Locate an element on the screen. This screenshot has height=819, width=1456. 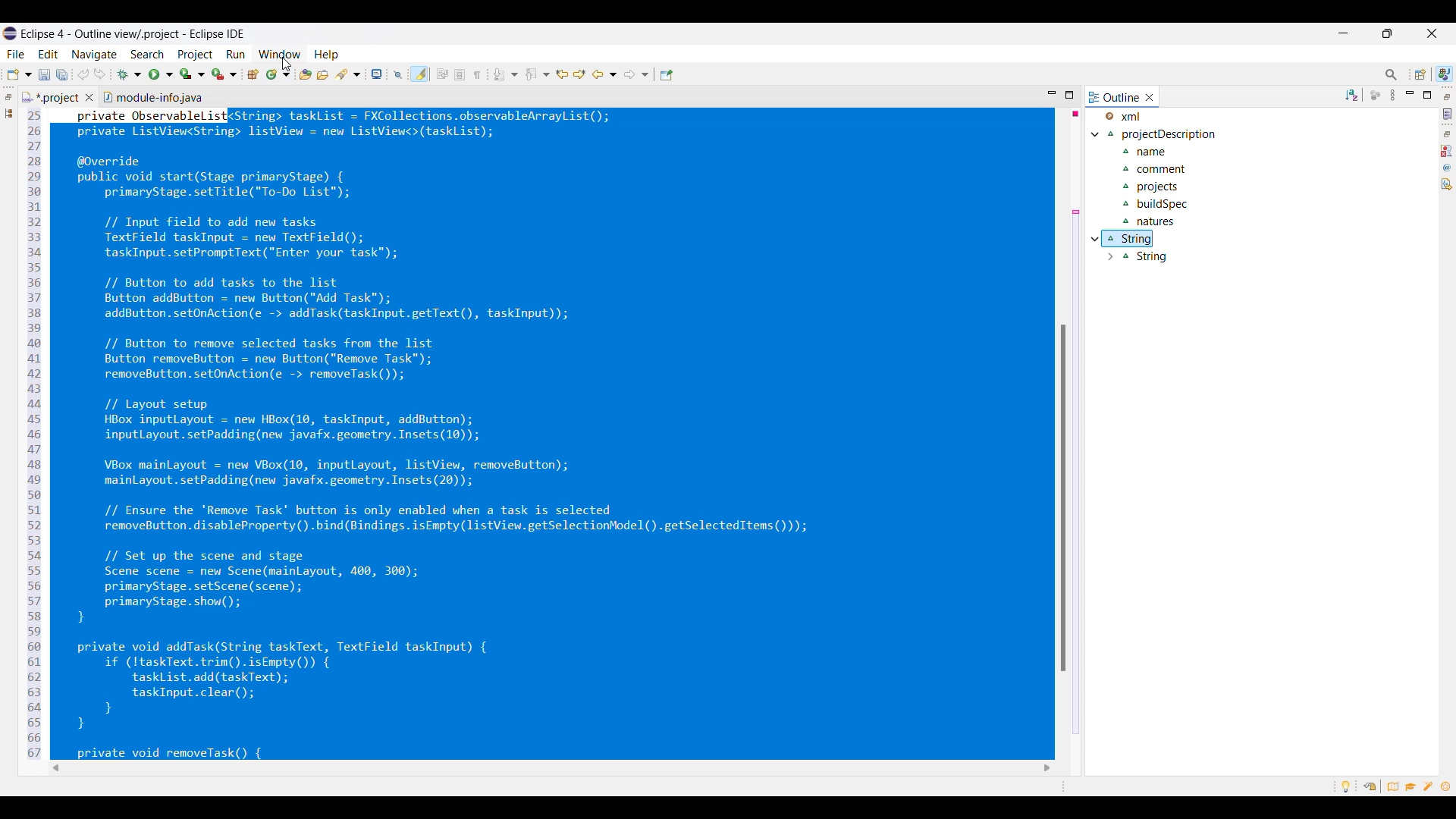
Help menu is located at coordinates (326, 55).